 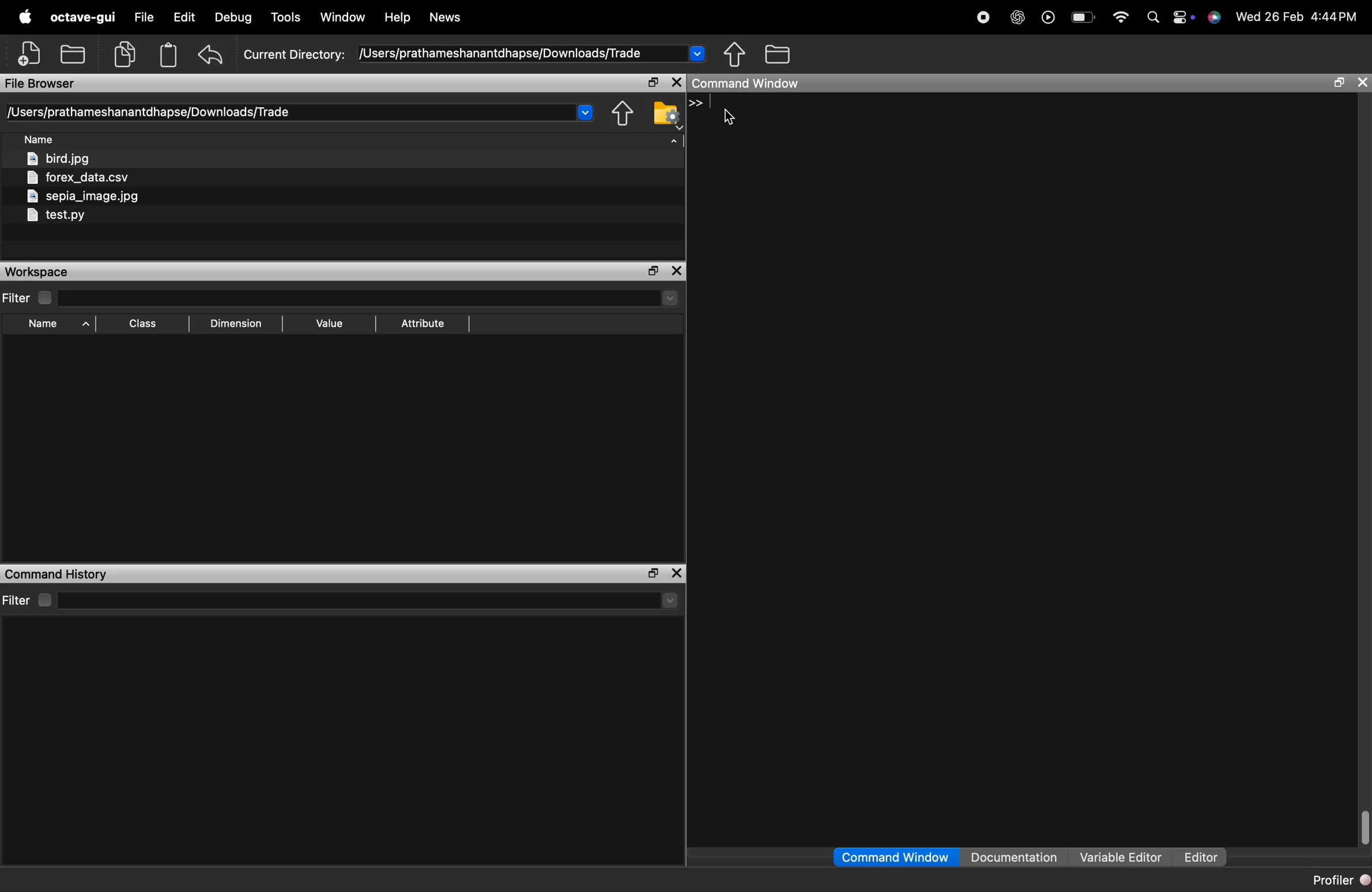 What do you see at coordinates (236, 324) in the screenshot?
I see `Dimension` at bounding box center [236, 324].